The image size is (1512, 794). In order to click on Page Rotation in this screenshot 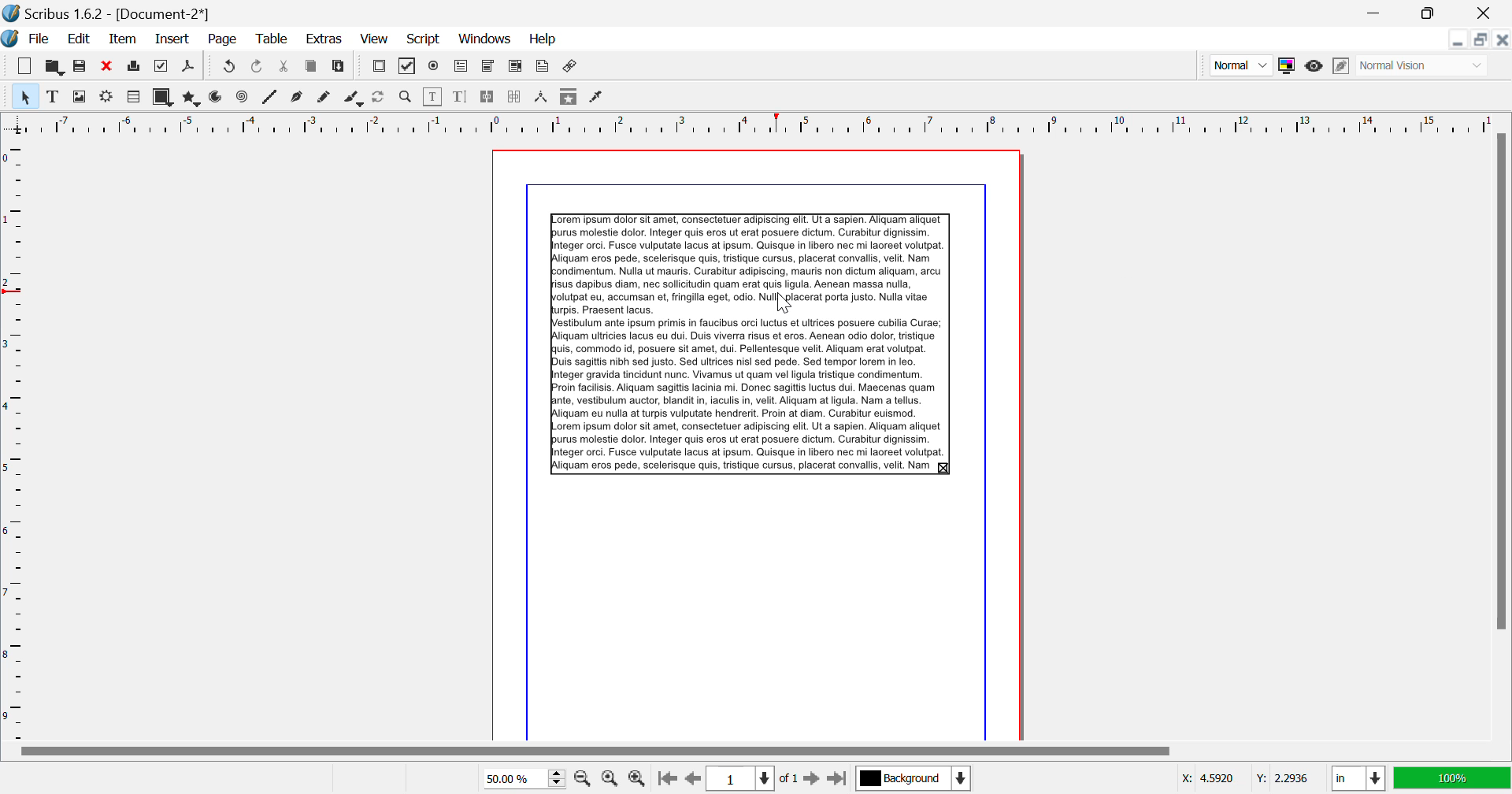, I will do `click(382, 98)`.